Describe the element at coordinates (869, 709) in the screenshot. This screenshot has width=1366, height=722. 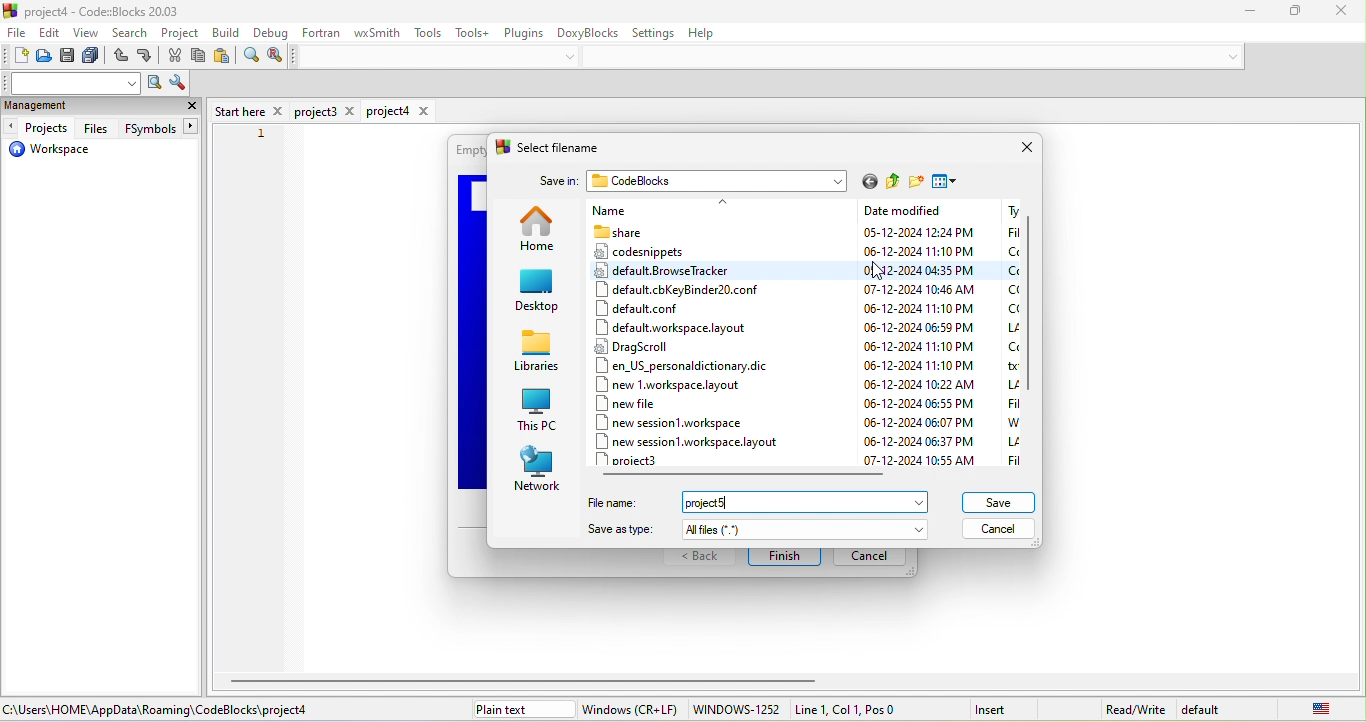
I see `line 1, col 1, pos 0` at that location.